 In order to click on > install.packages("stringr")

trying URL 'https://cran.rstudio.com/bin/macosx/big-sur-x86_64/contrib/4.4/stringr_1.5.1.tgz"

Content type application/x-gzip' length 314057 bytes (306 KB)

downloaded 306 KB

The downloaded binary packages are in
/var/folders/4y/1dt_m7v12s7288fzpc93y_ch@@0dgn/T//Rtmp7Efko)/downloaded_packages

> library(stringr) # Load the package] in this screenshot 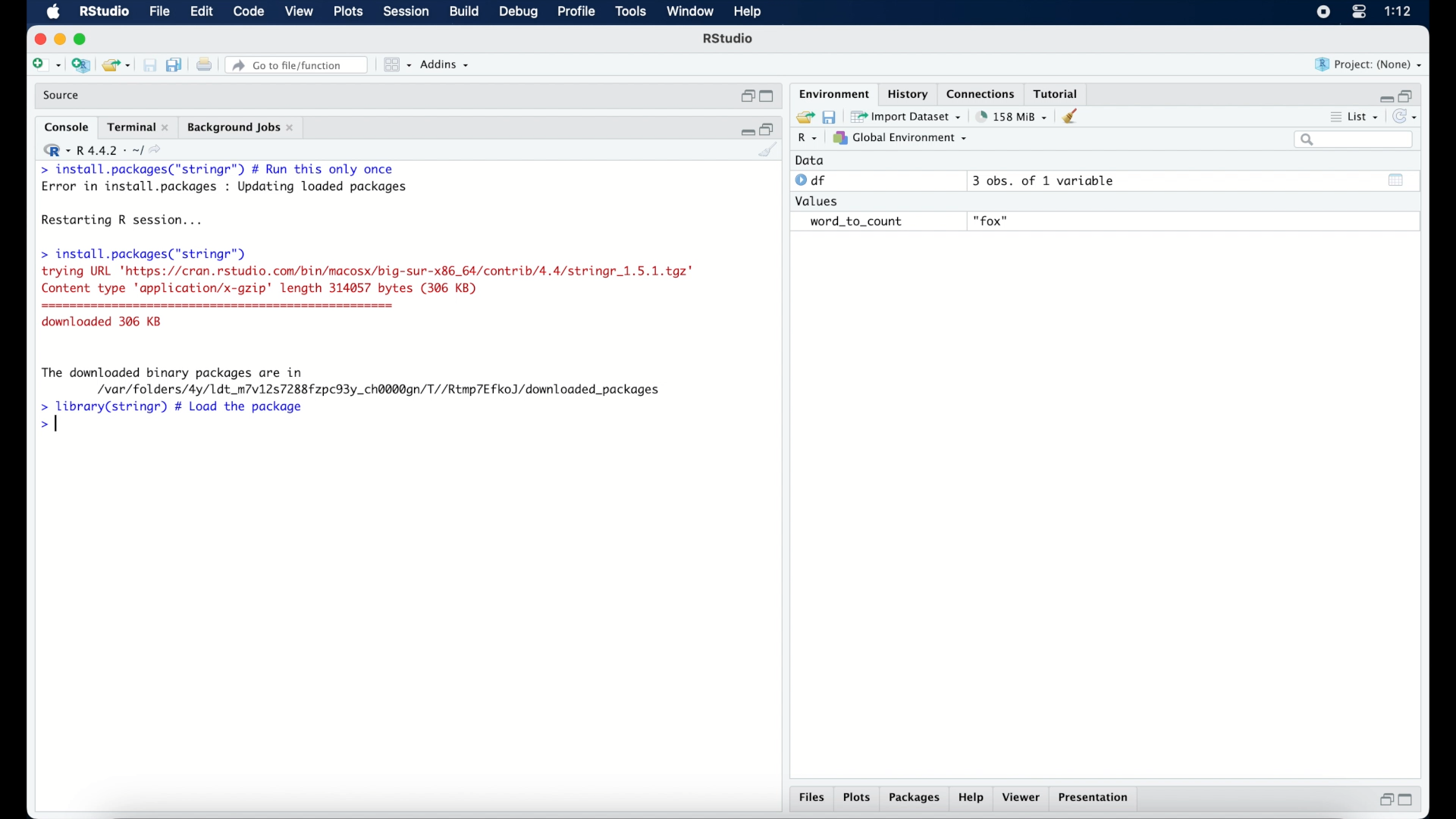, I will do `click(367, 330)`.